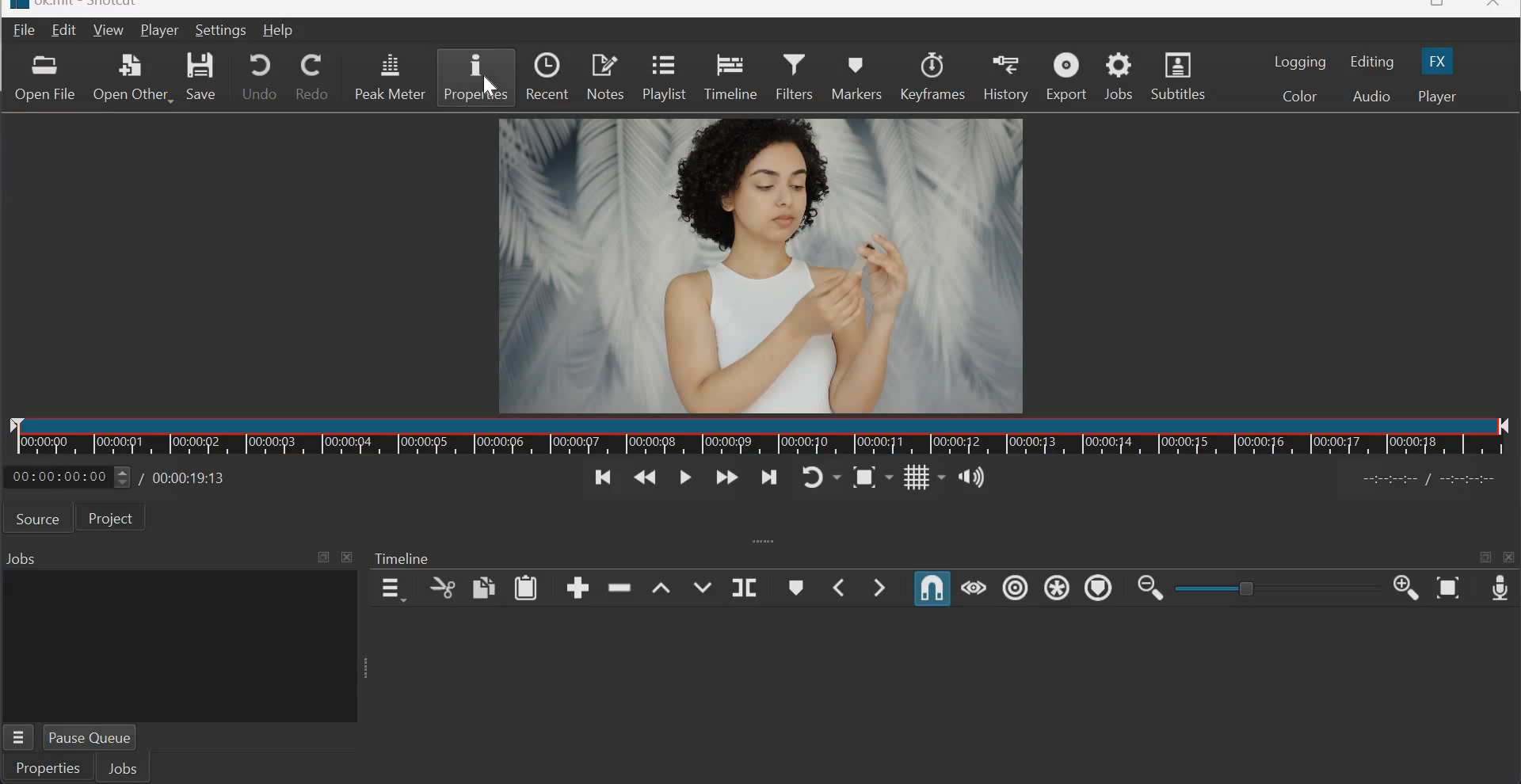 The height and width of the screenshot is (784, 1521). I want to click on Pause Queue, so click(90, 737).